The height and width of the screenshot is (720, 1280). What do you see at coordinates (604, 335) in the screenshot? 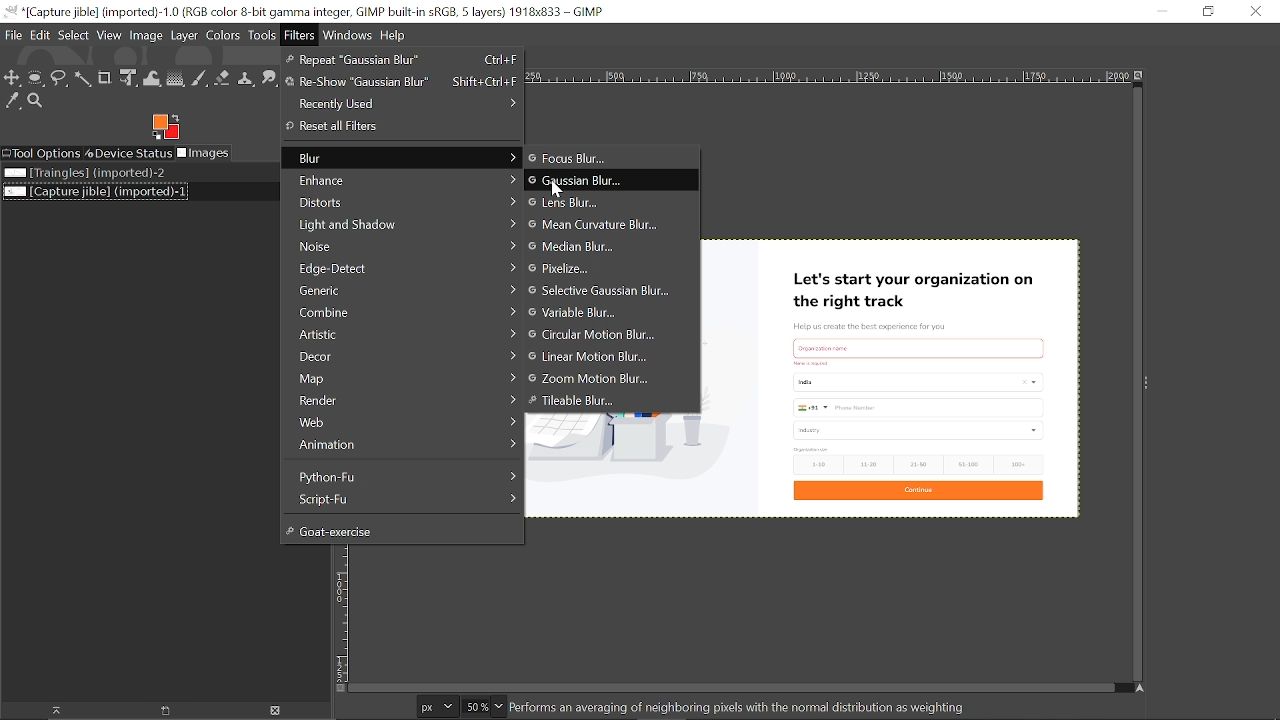
I see `Circular motion blur` at bounding box center [604, 335].